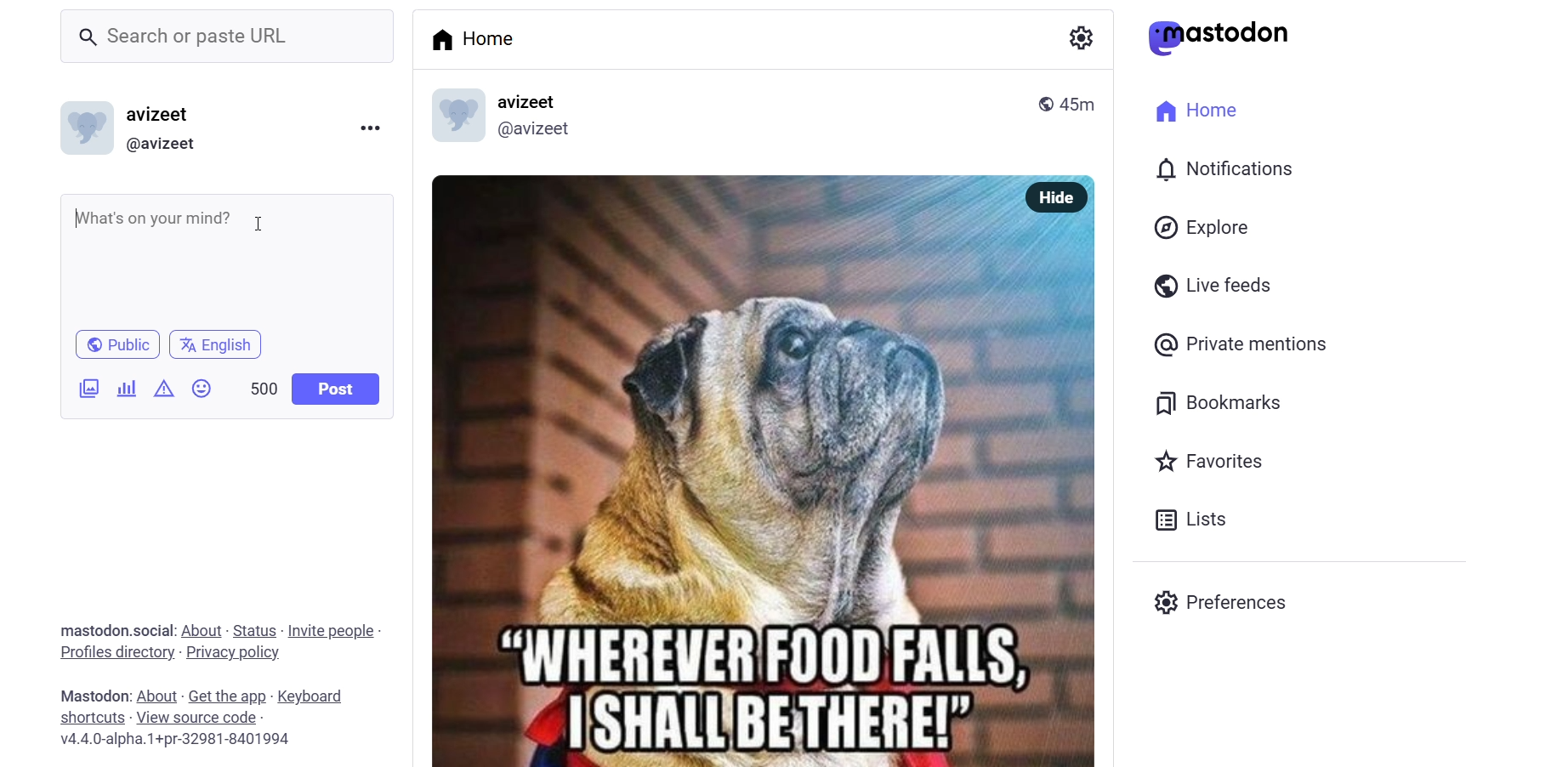 This screenshot has height=767, width=1568. Describe the element at coordinates (1071, 107) in the screenshot. I see `45m` at that location.